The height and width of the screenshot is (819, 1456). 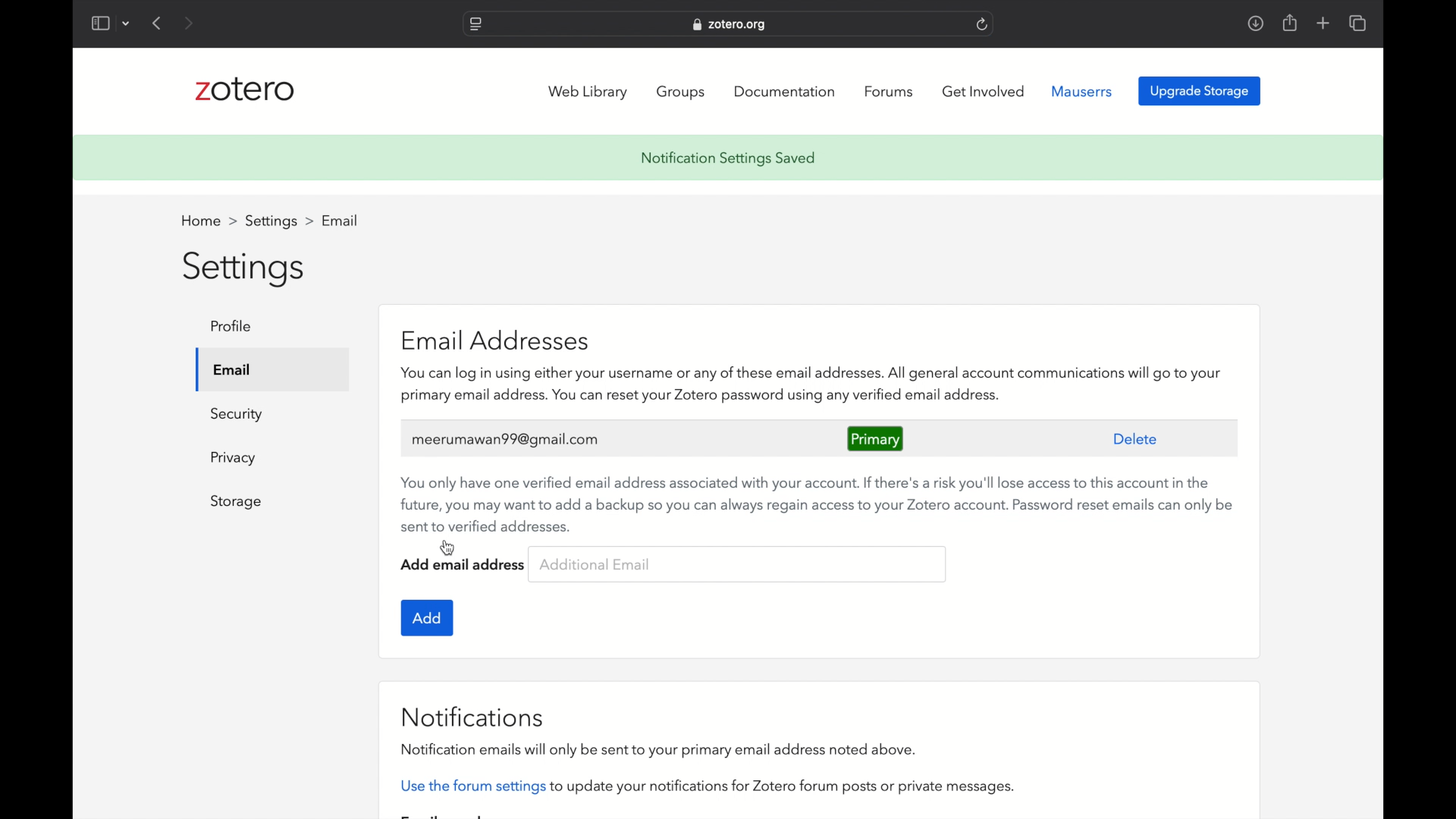 I want to click on You only have one verified email address associated with your account. If there's a risk you'll lose access to this account in the
future, you may want to add a backup so you can always regain access to your Zotero account. Password reset emails can only be
sent to verified addresses., so click(x=812, y=500).